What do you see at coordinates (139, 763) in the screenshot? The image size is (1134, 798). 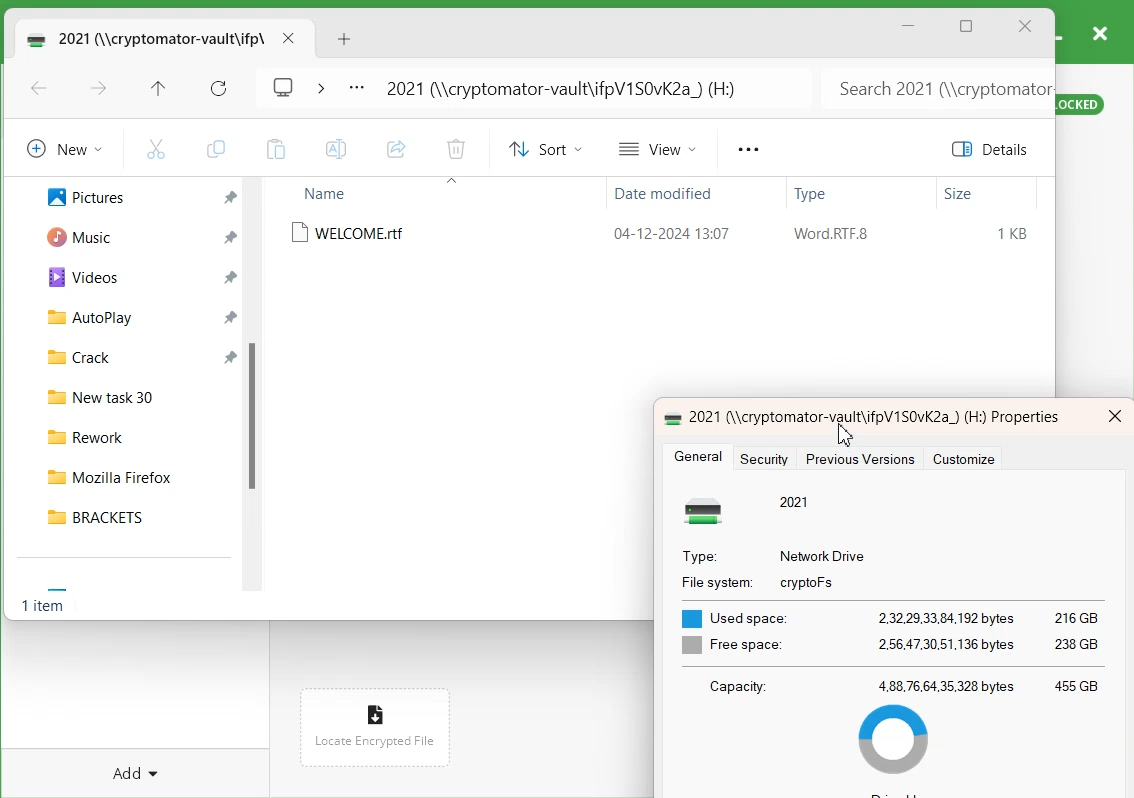 I see `Add` at bounding box center [139, 763].